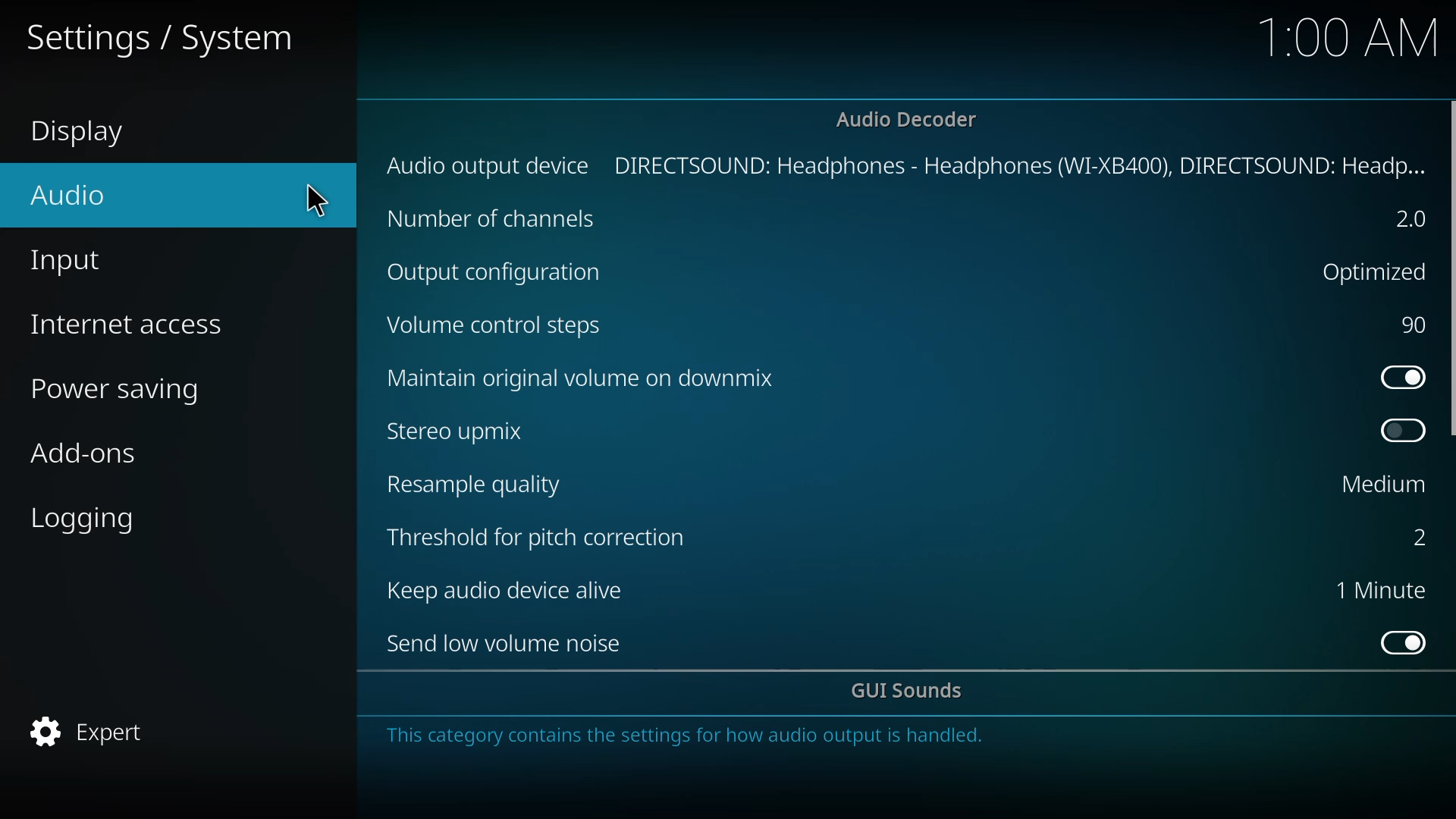  Describe the element at coordinates (510, 590) in the screenshot. I see `keep audio` at that location.